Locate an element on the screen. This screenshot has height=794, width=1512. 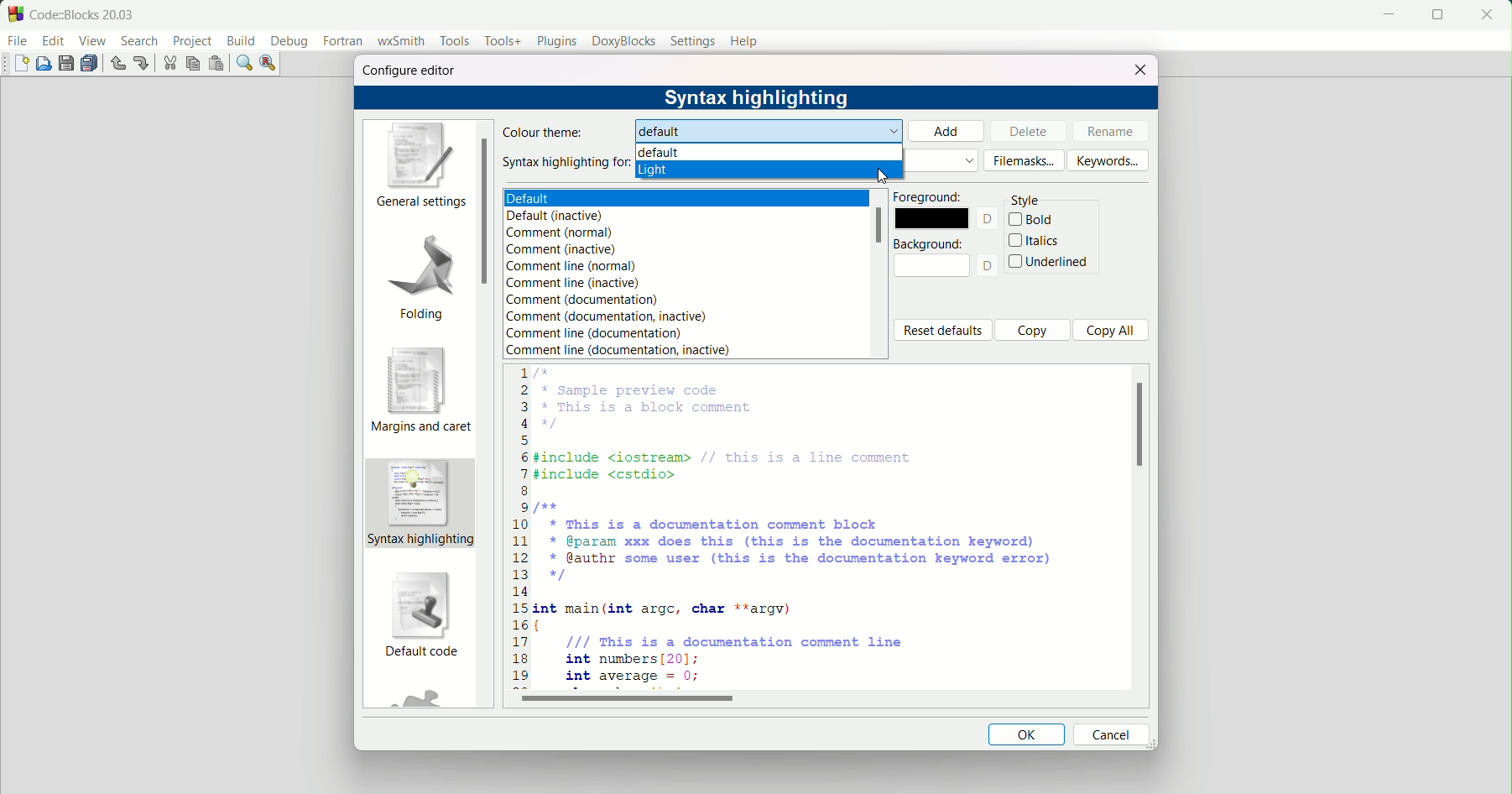
add is located at coordinates (949, 132).